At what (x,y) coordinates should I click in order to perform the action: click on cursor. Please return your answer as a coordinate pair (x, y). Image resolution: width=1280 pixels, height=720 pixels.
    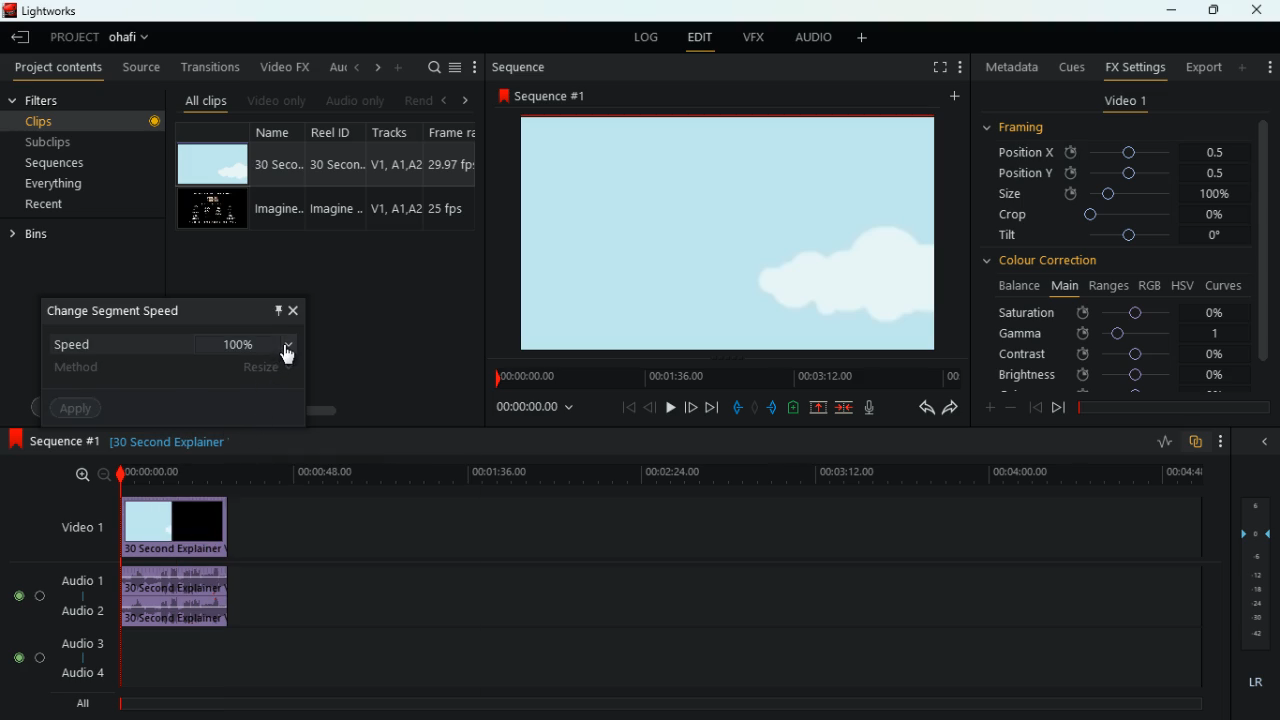
    Looking at the image, I should click on (288, 354).